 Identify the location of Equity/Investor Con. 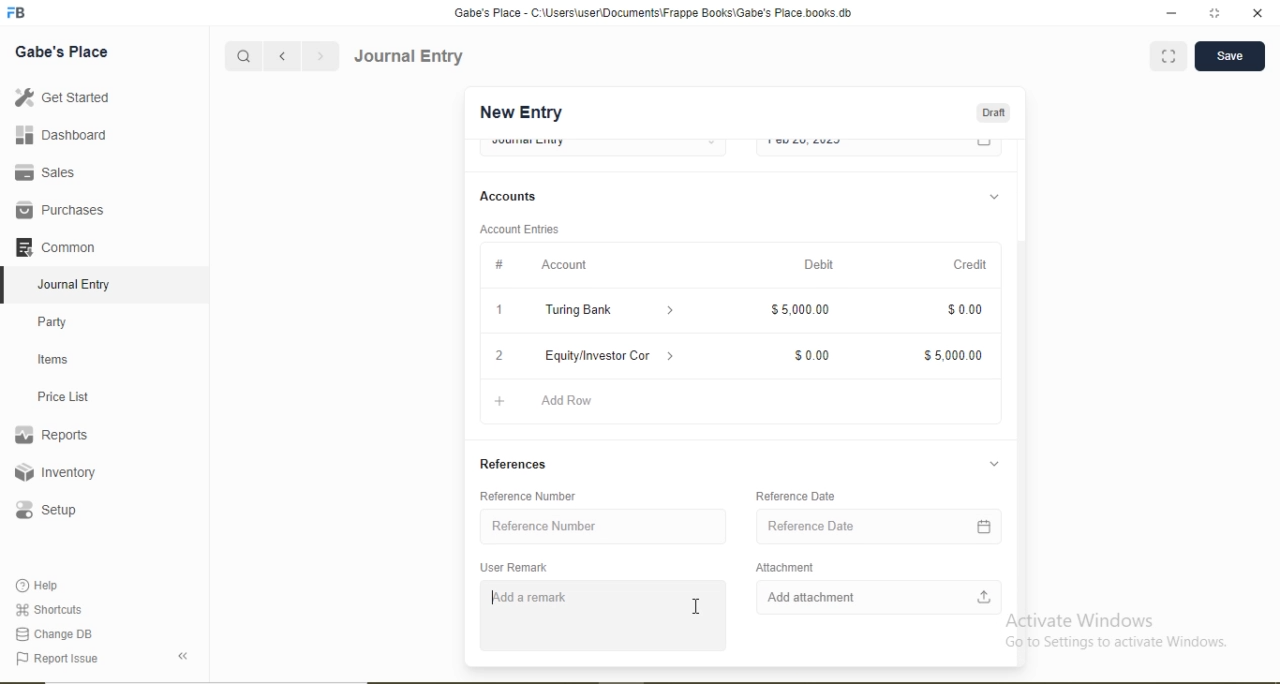
(598, 356).